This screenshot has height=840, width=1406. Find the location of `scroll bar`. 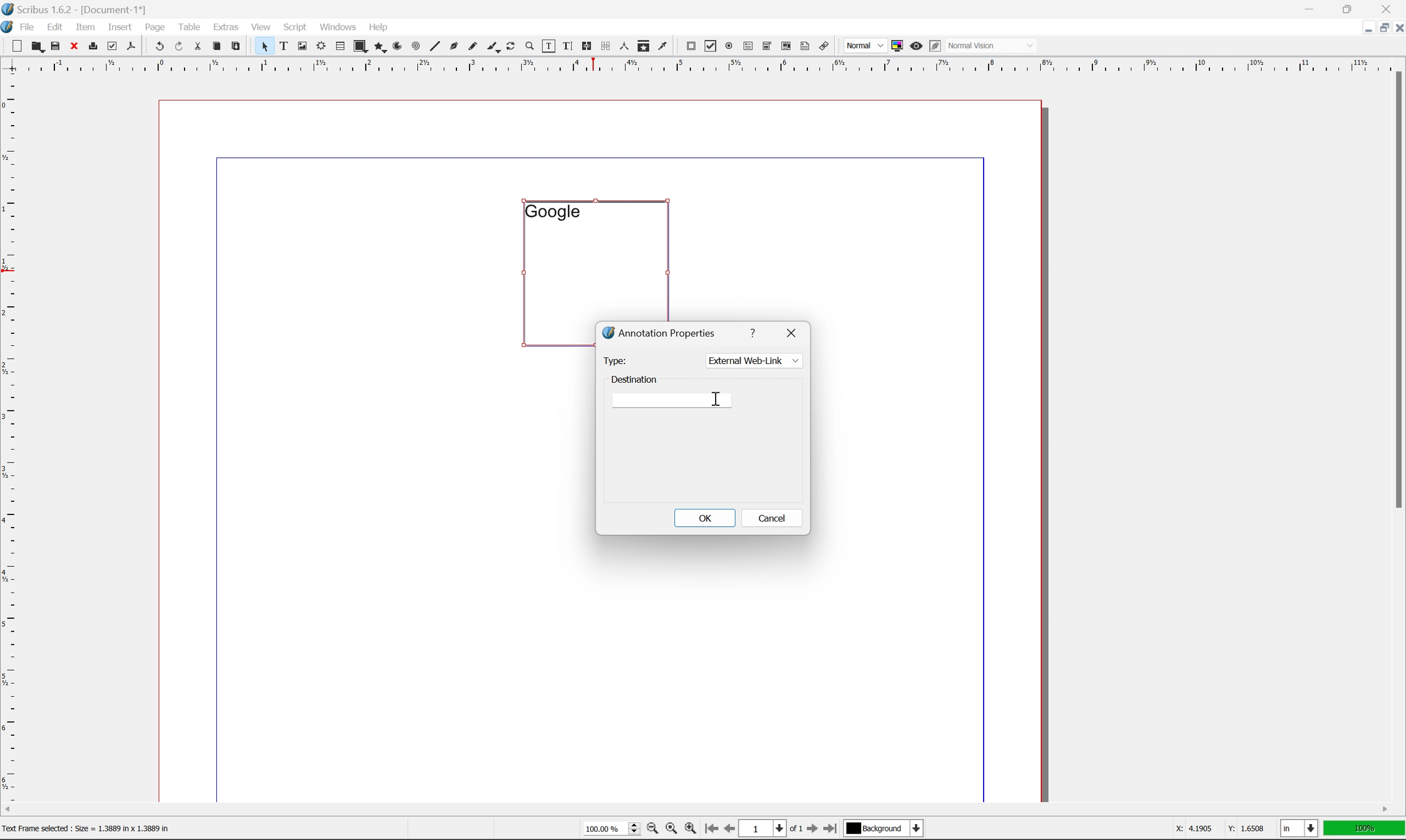

scroll bar is located at coordinates (696, 809).